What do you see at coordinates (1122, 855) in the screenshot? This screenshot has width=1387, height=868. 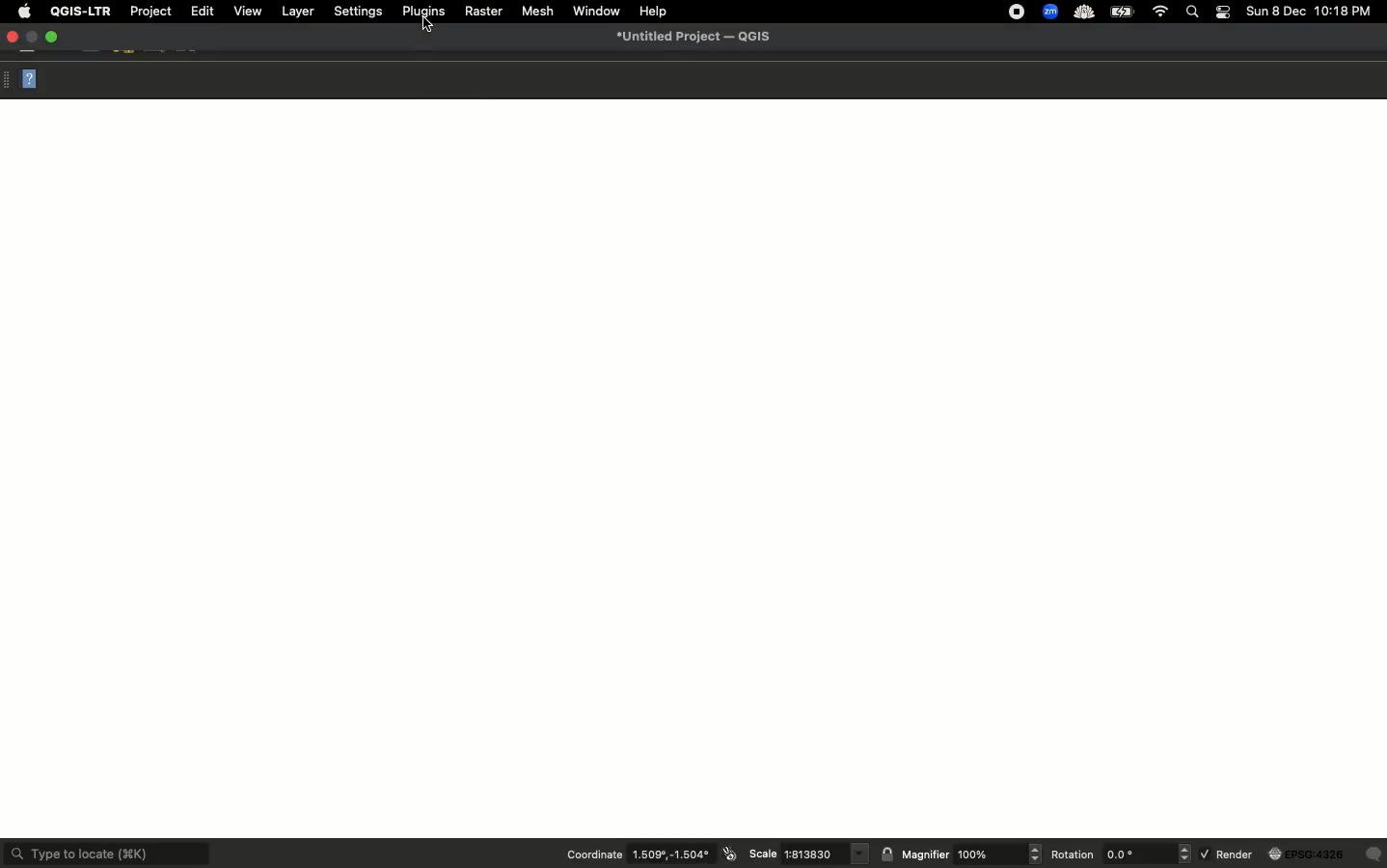 I see `Rotation` at bounding box center [1122, 855].